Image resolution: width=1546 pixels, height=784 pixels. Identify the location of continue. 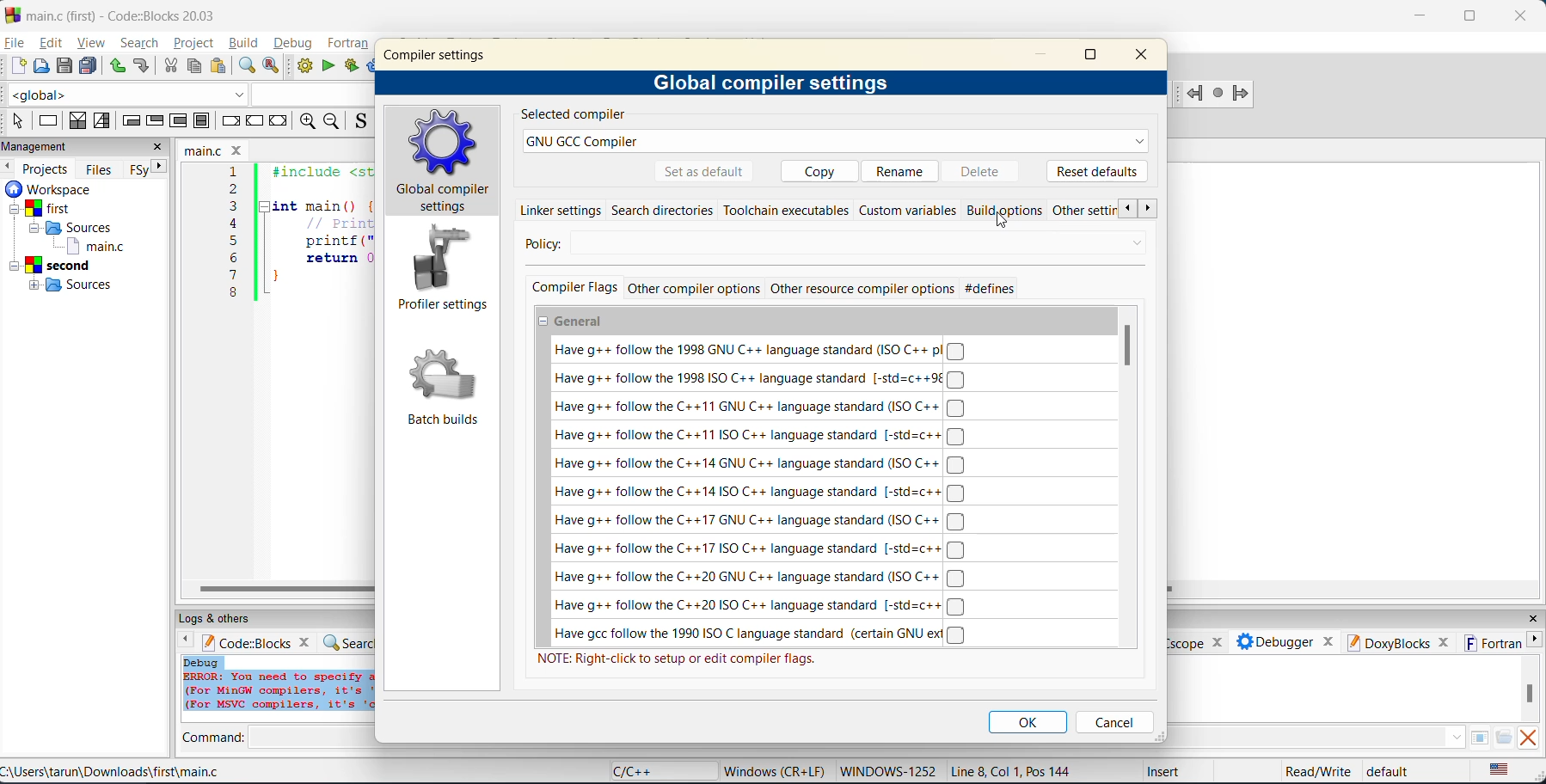
(255, 119).